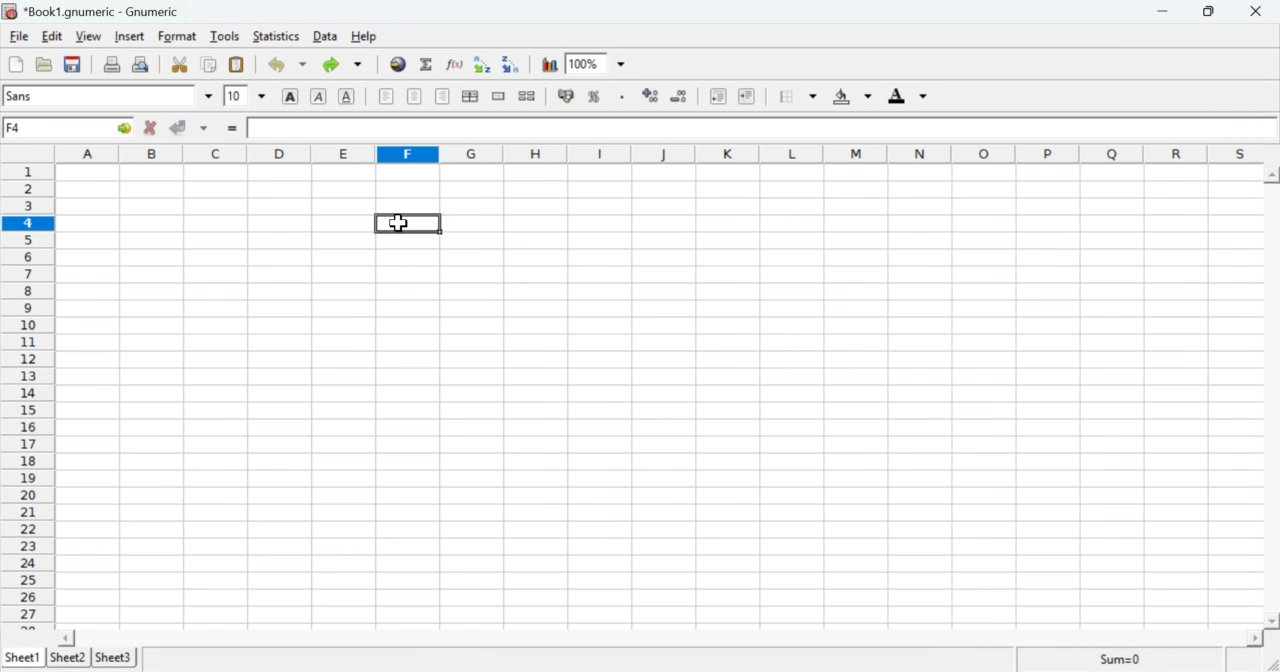  I want to click on cursor, so click(400, 222).